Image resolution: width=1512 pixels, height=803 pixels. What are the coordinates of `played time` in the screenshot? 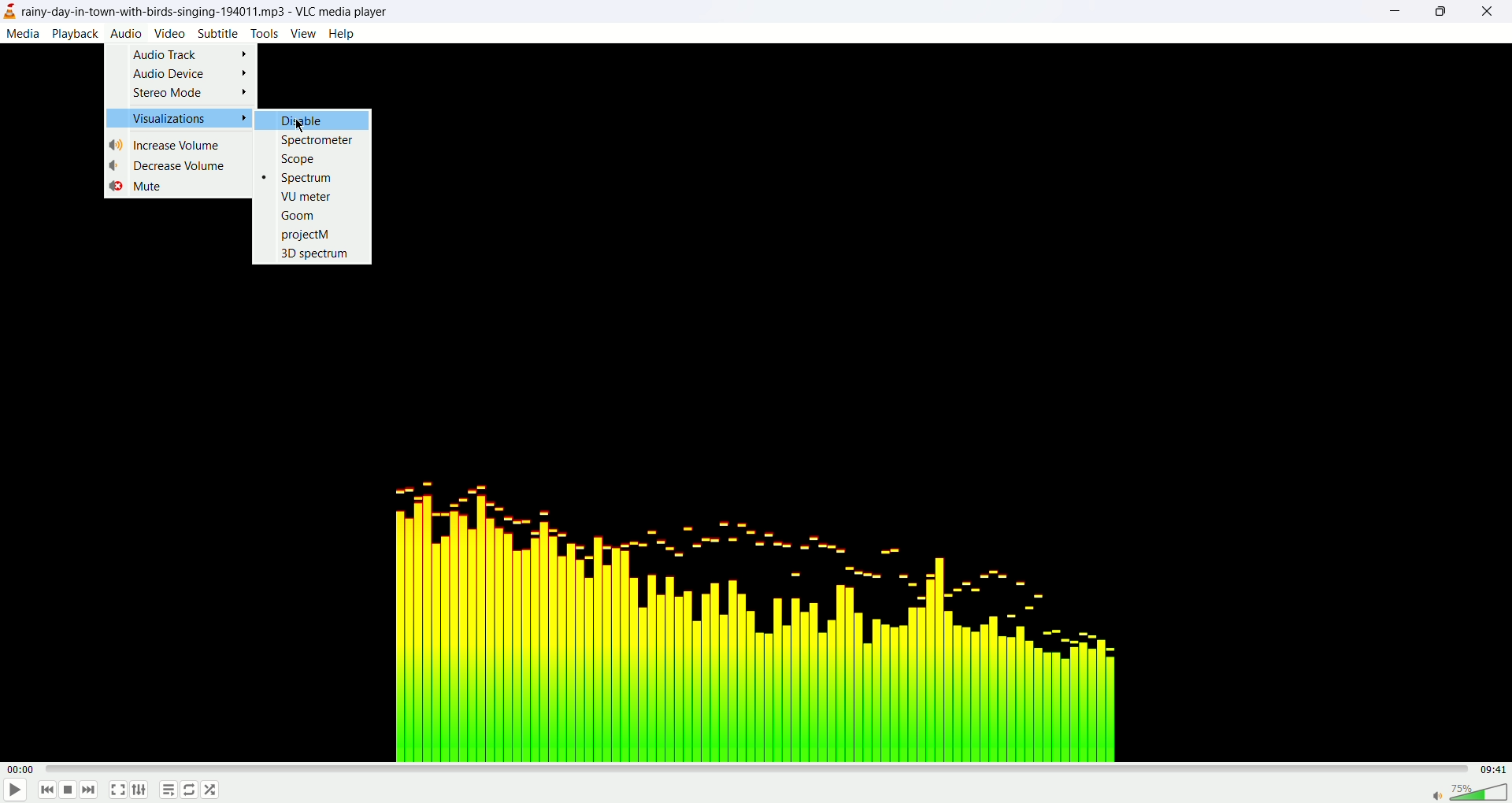 It's located at (24, 770).